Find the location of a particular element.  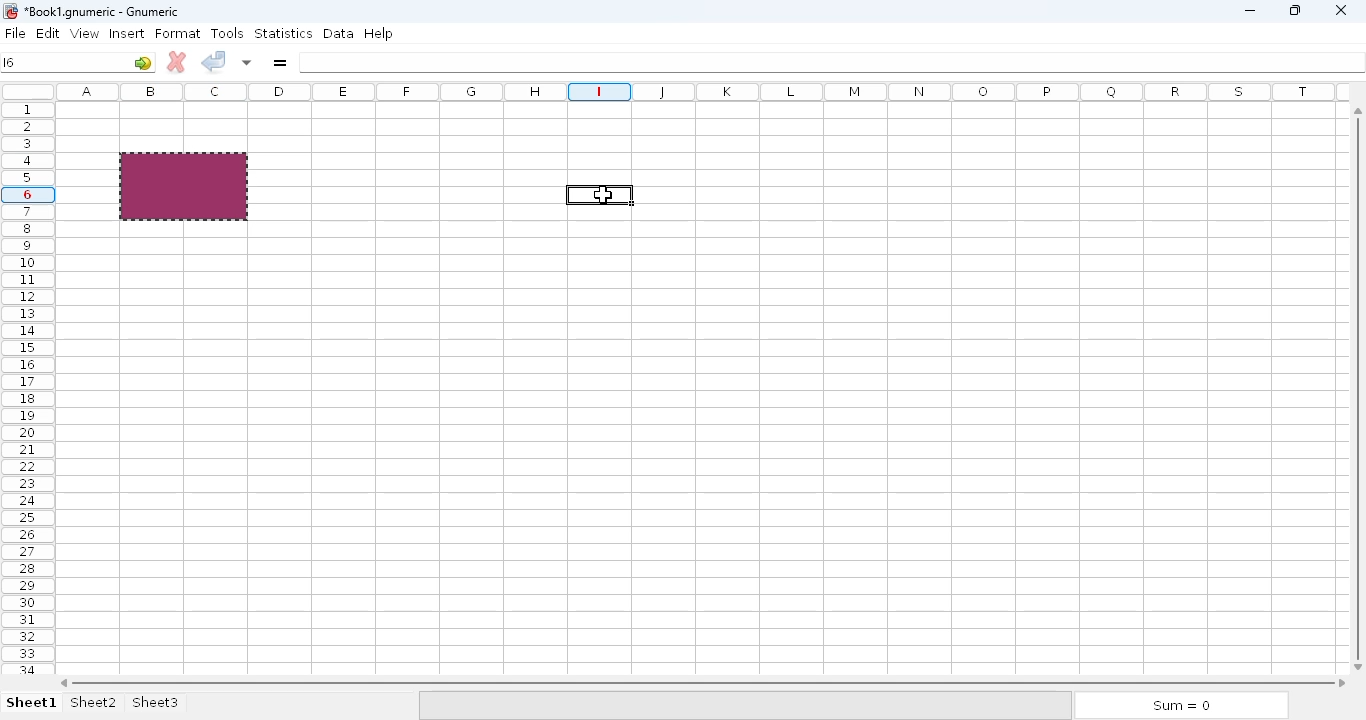

accept change is located at coordinates (215, 61).